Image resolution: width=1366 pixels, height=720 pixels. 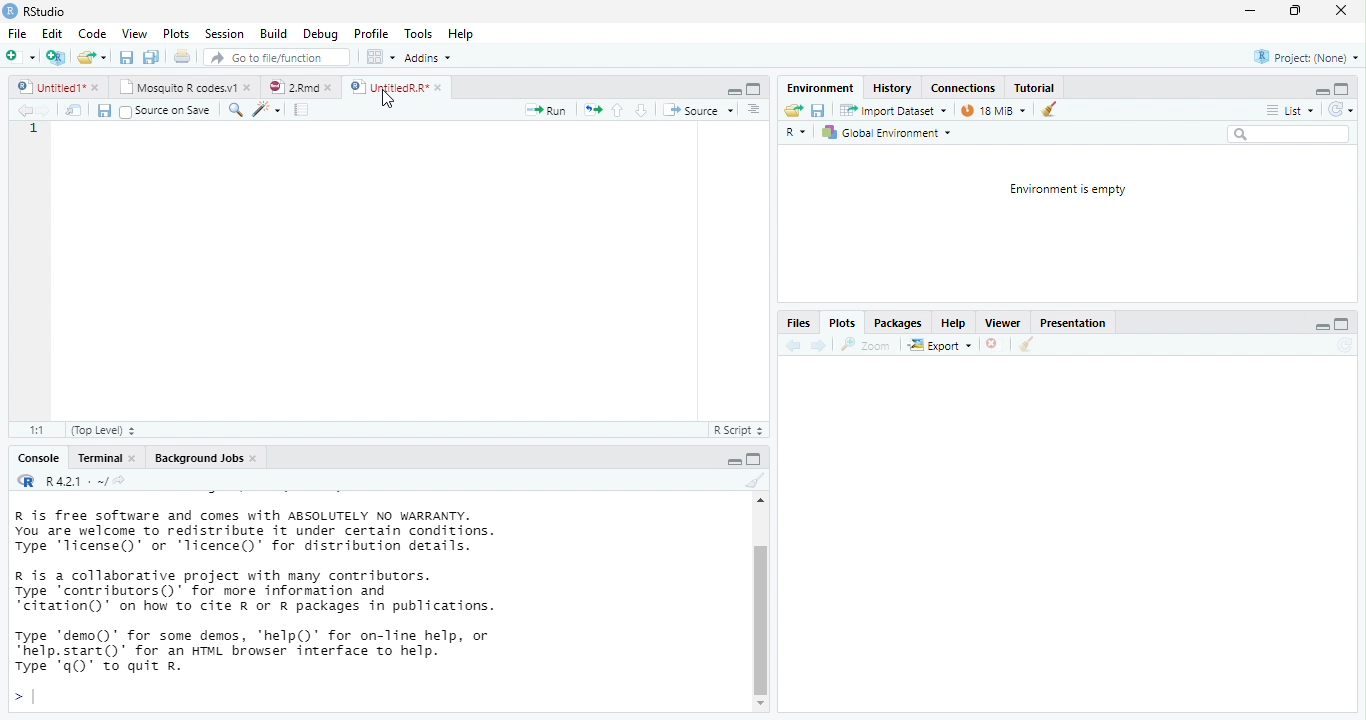 I want to click on zoom, so click(x=869, y=345).